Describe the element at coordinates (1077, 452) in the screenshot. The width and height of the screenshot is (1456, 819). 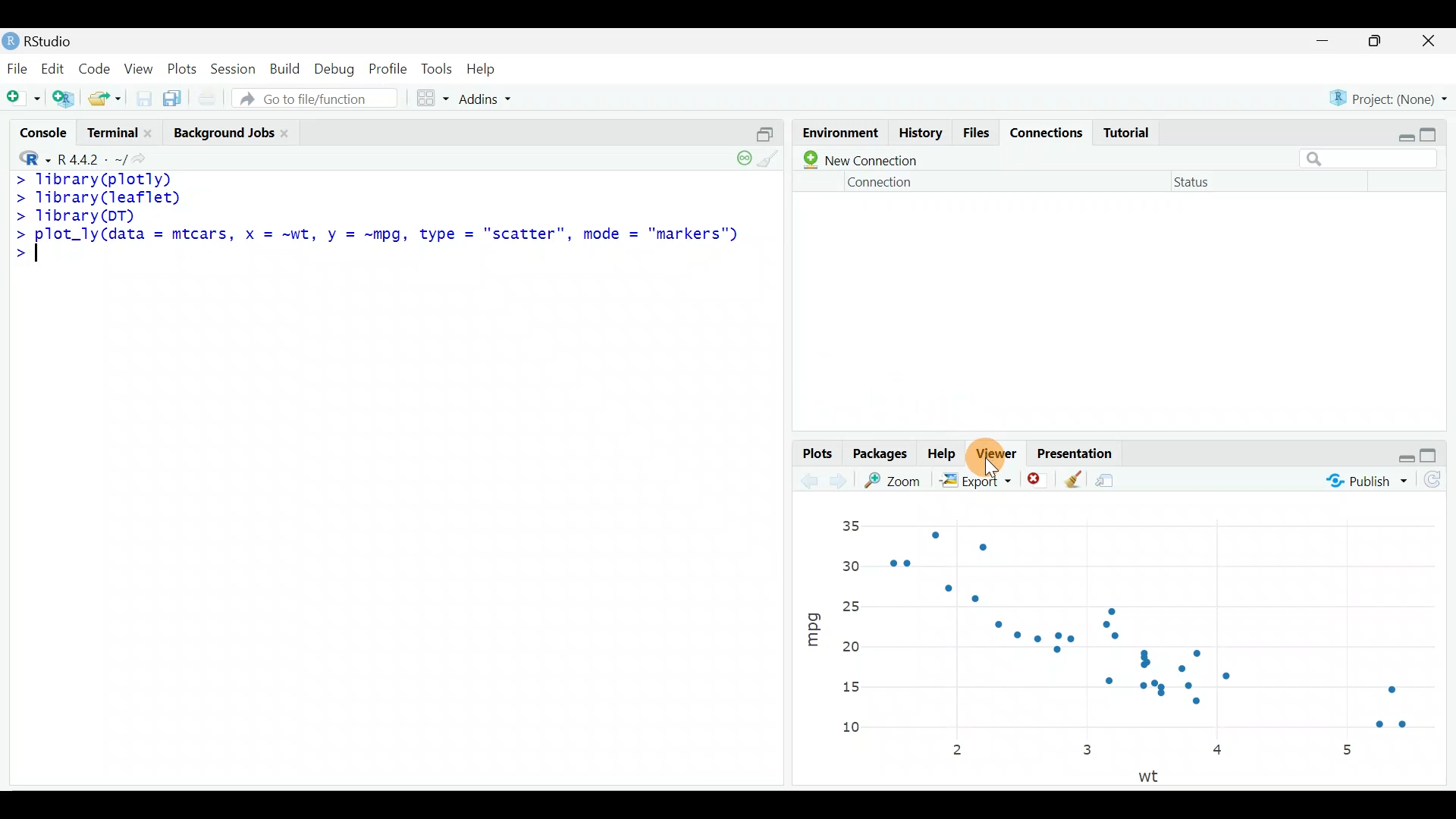
I see `Presentation` at that location.